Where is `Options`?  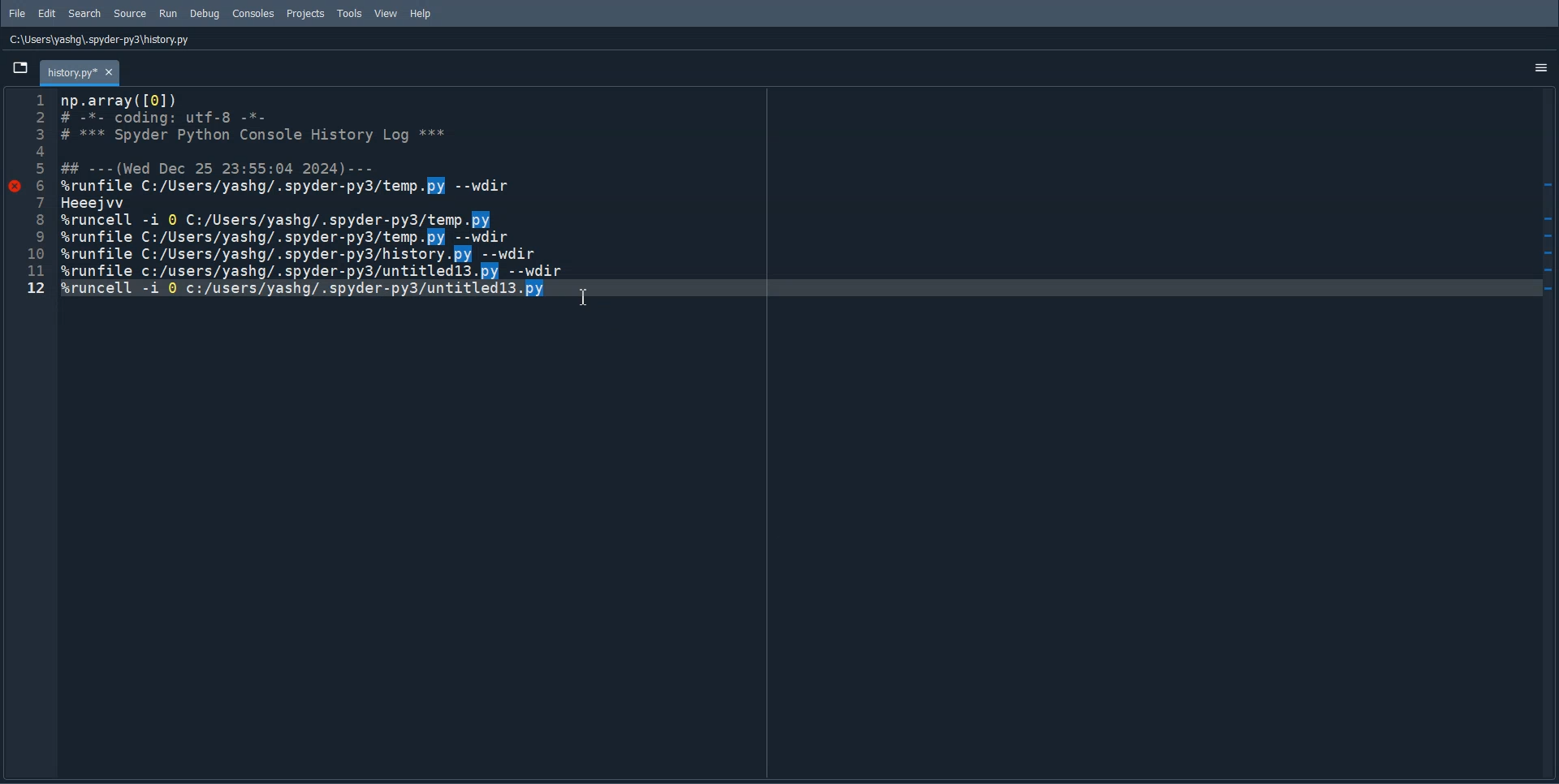
Options is located at coordinates (1543, 69).